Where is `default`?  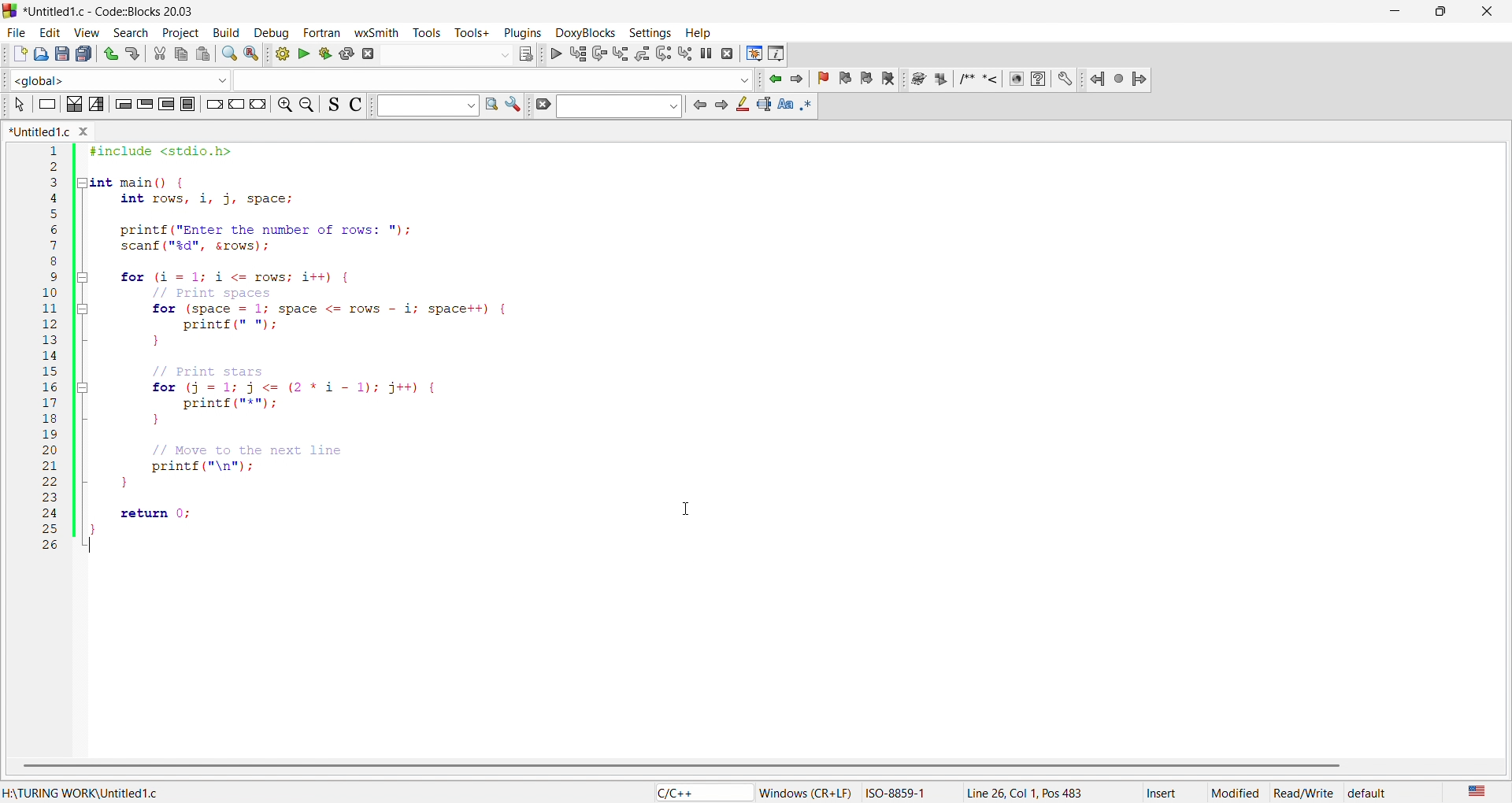 default is located at coordinates (1386, 790).